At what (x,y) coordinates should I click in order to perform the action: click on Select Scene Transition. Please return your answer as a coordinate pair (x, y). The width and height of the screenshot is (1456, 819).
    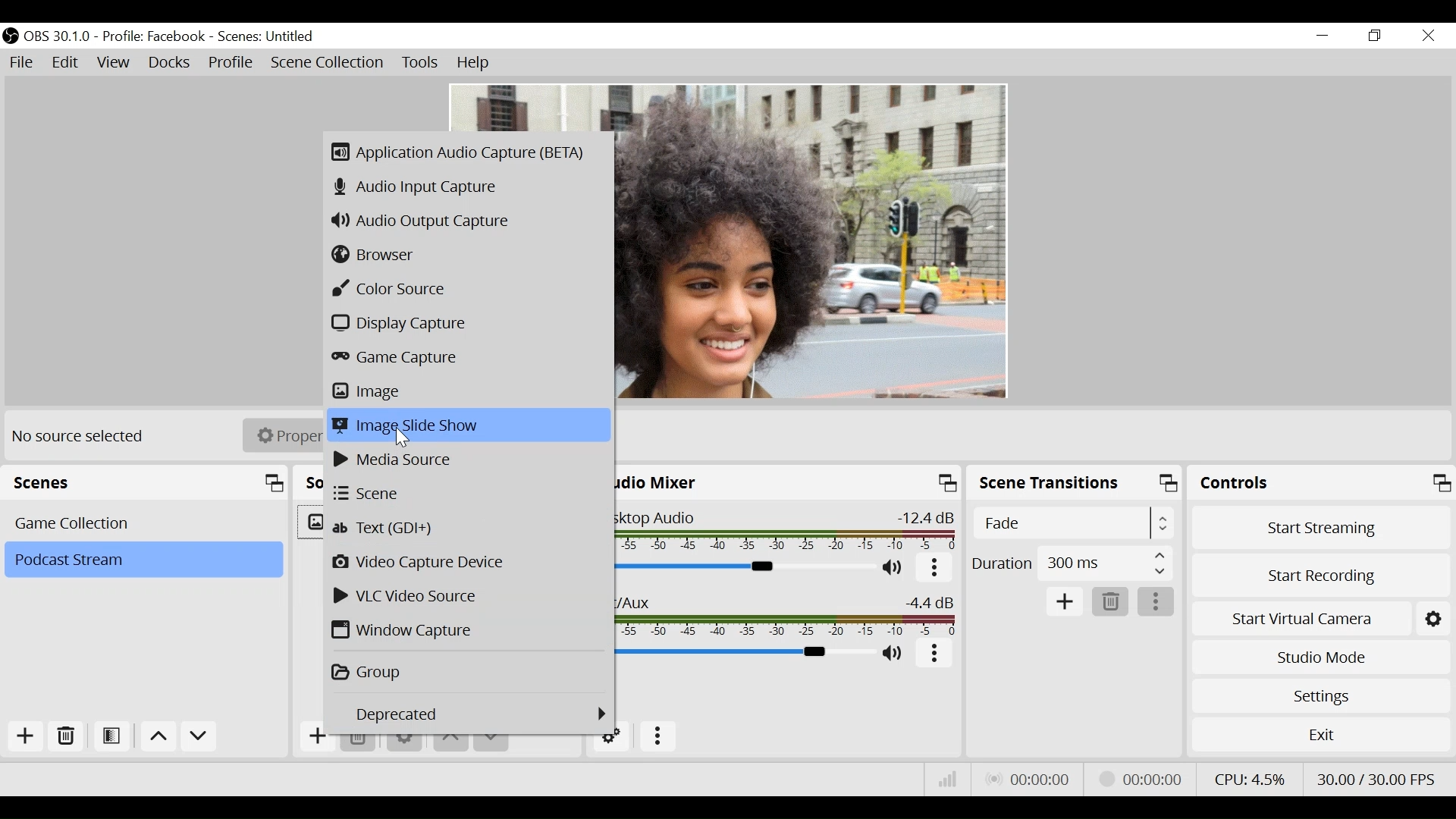
    Looking at the image, I should click on (1075, 524).